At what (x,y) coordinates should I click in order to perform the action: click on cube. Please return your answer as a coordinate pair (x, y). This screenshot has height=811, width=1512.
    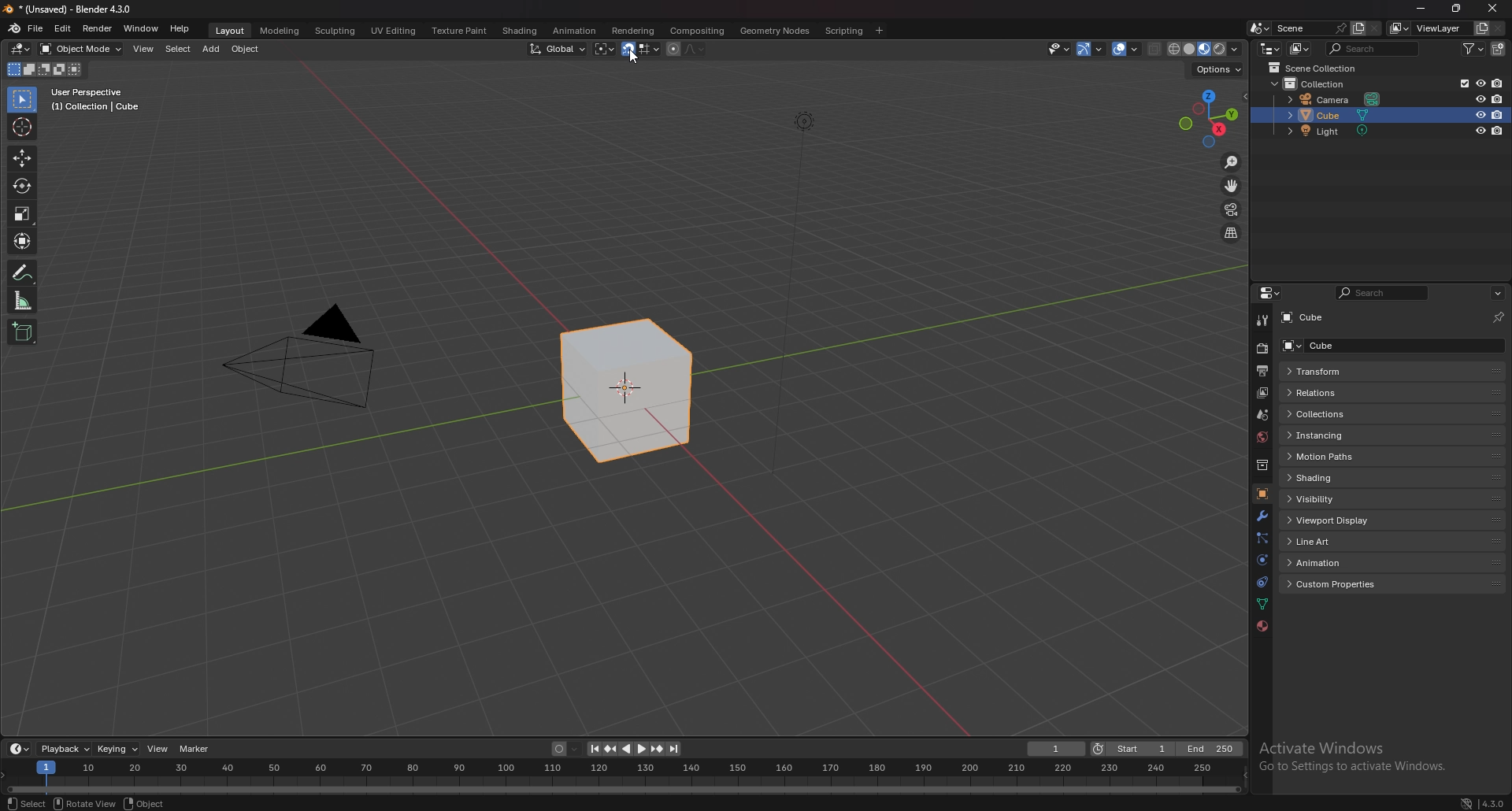
    Looking at the image, I should click on (1332, 115).